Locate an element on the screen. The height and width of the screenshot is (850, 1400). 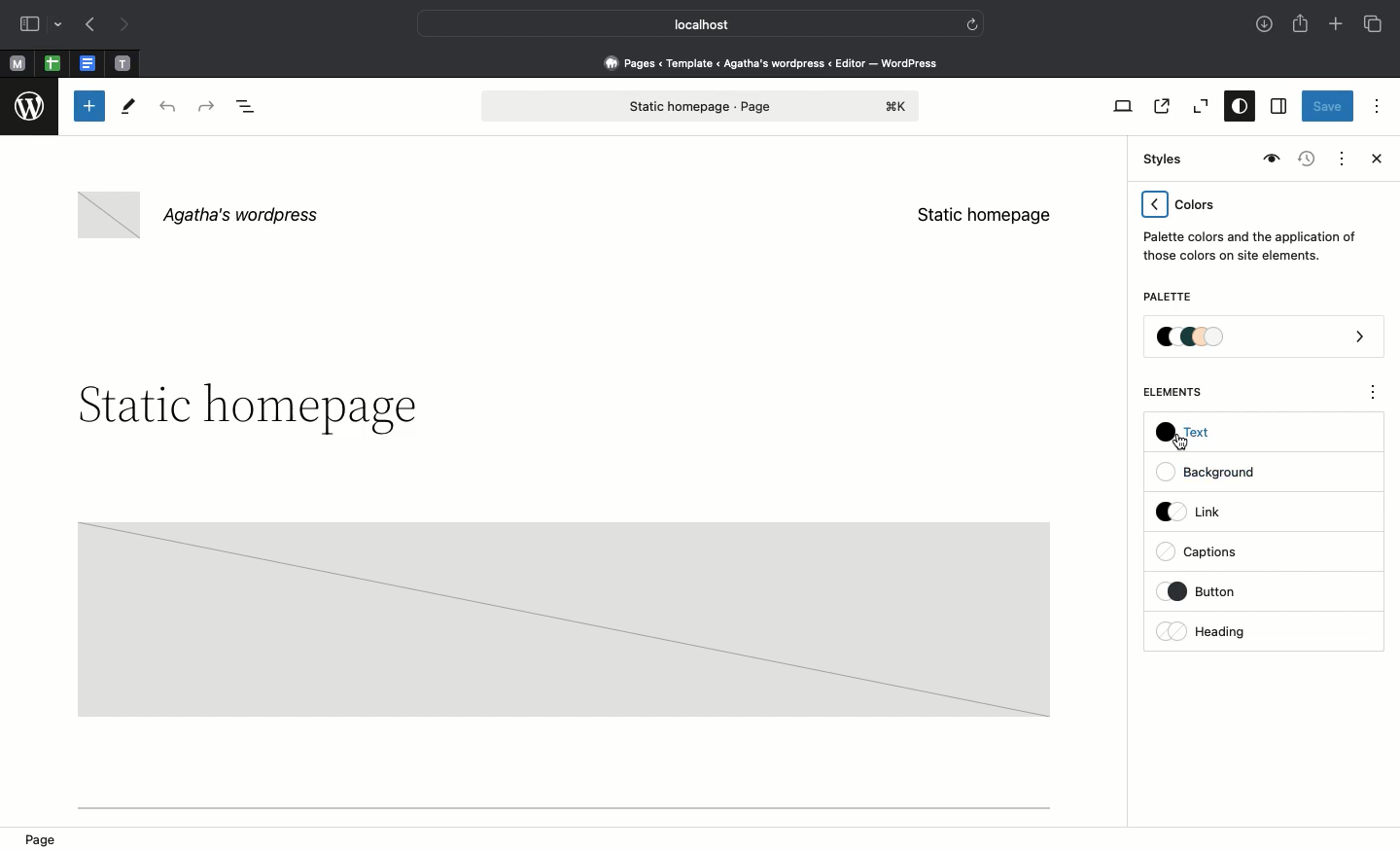
Heading is located at coordinates (1206, 631).